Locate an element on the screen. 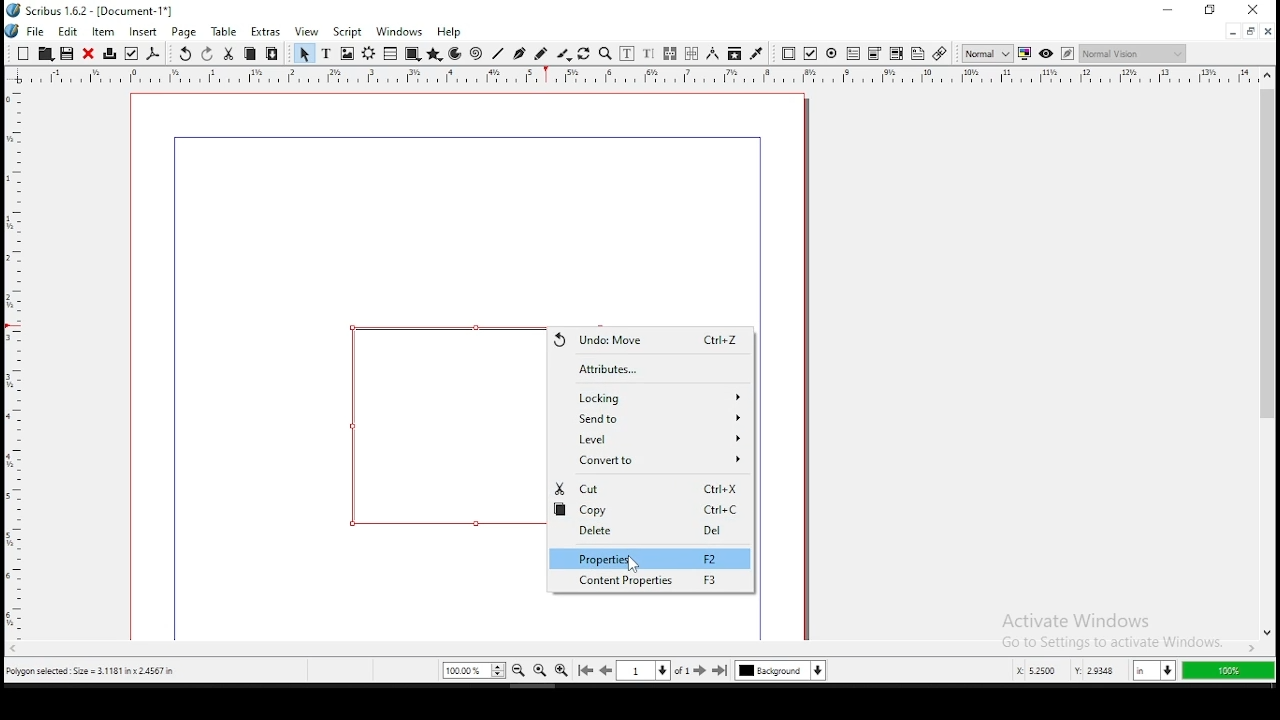  printer is located at coordinates (109, 54).